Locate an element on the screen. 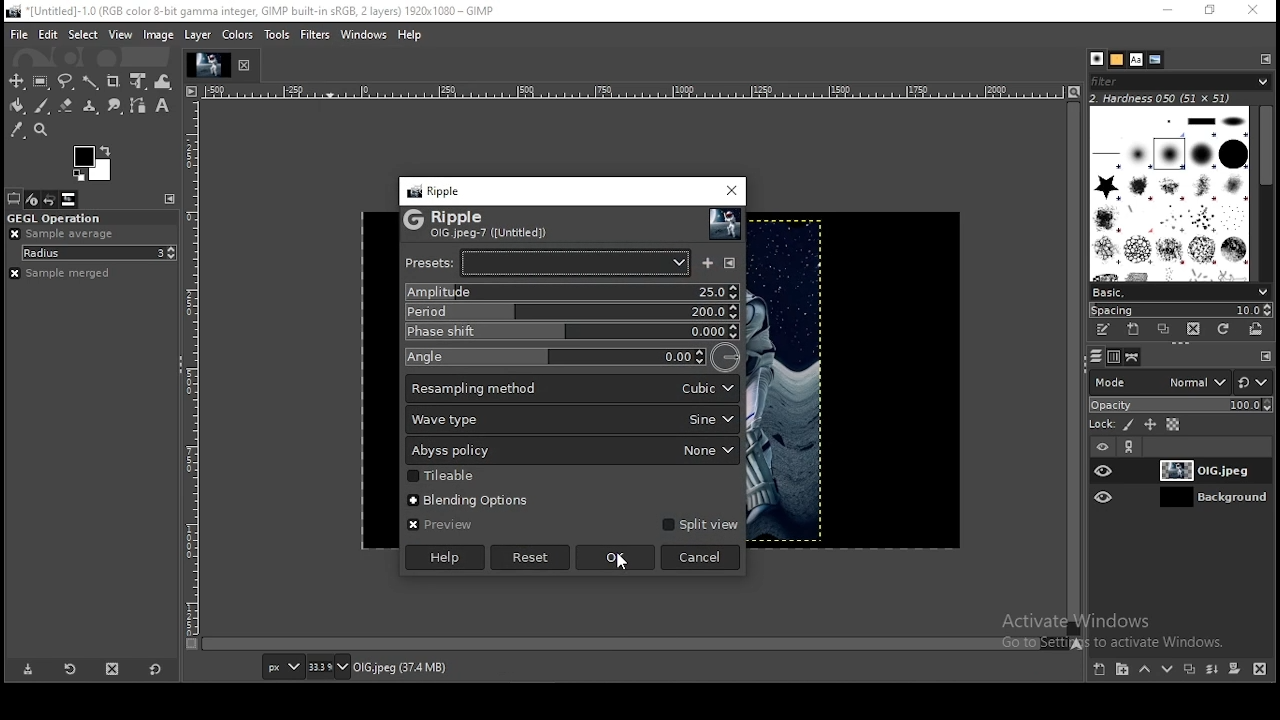 This screenshot has height=720, width=1280. measuring line is located at coordinates (633, 92).